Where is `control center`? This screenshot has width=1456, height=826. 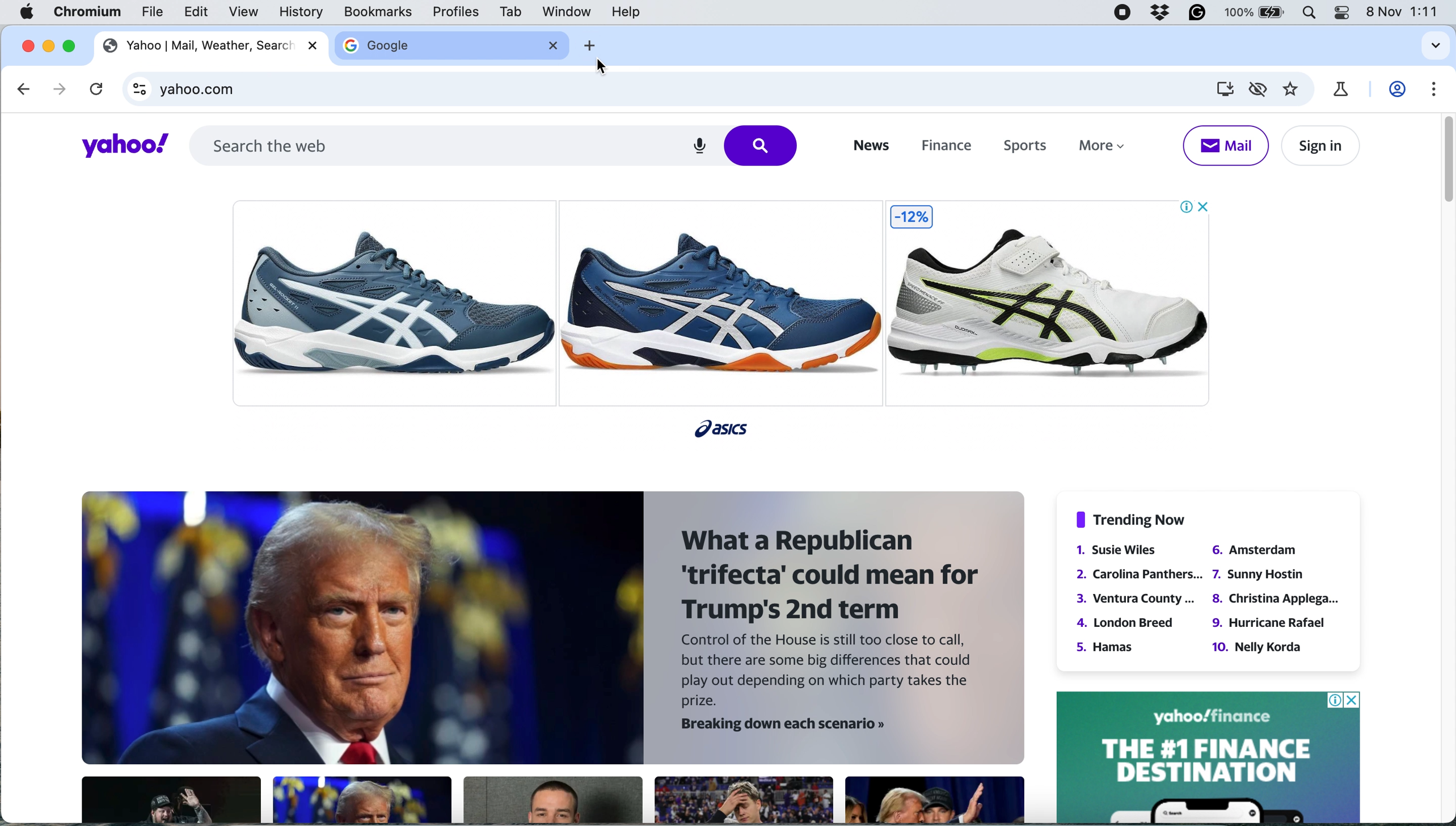 control center is located at coordinates (1341, 12).